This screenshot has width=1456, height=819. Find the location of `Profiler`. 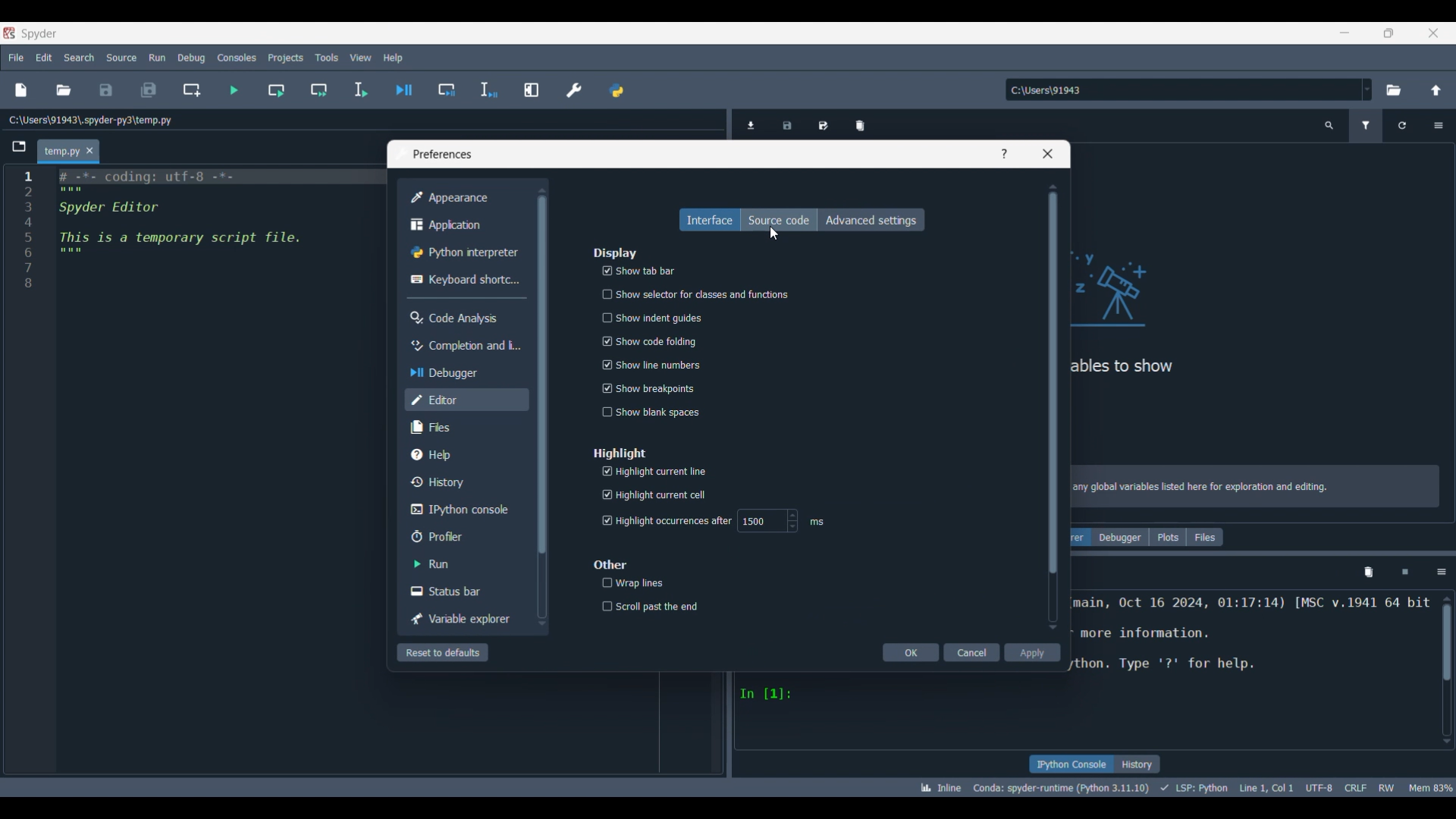

Profiler is located at coordinates (464, 536).